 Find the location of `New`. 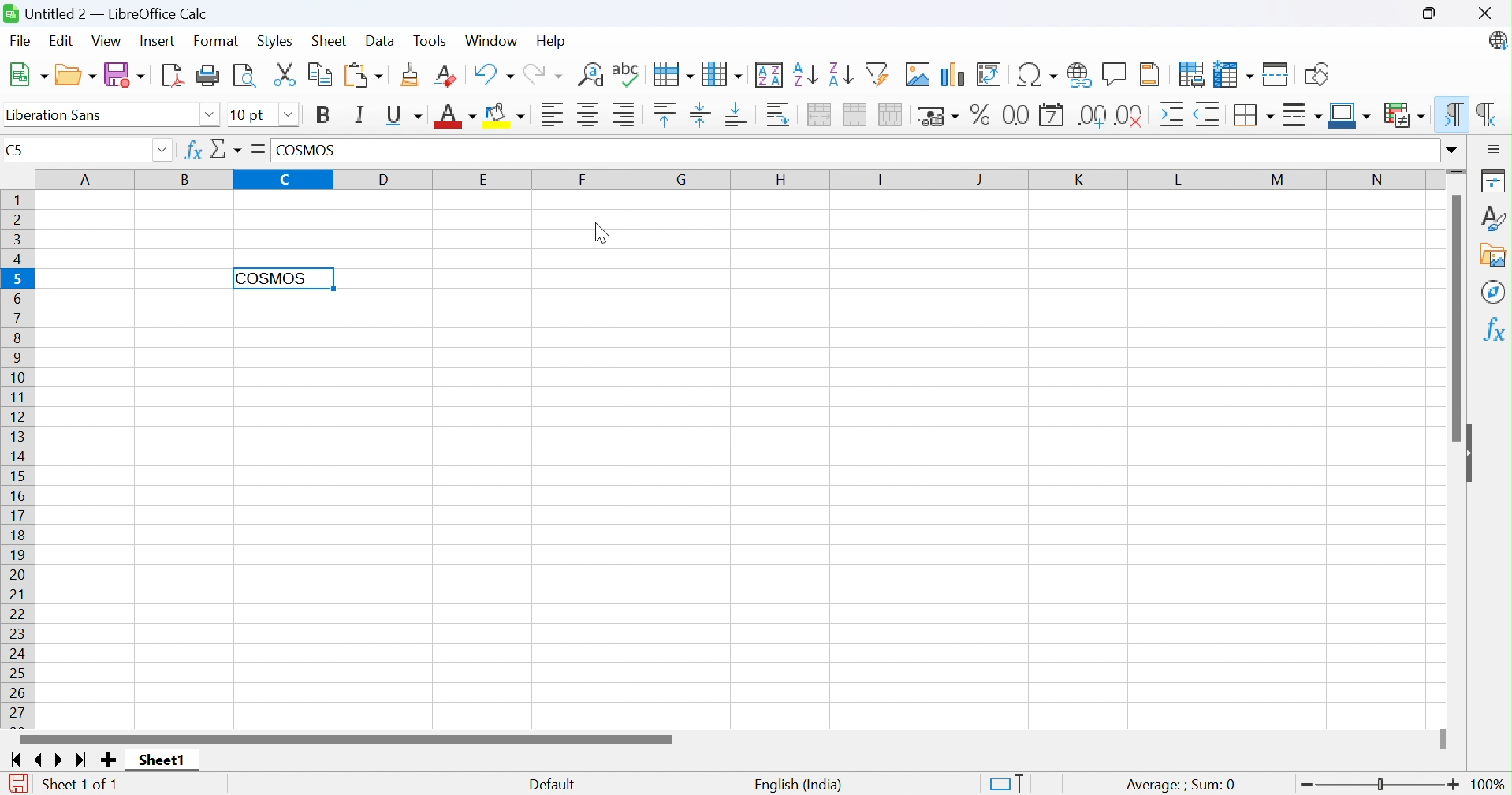

New is located at coordinates (28, 76).